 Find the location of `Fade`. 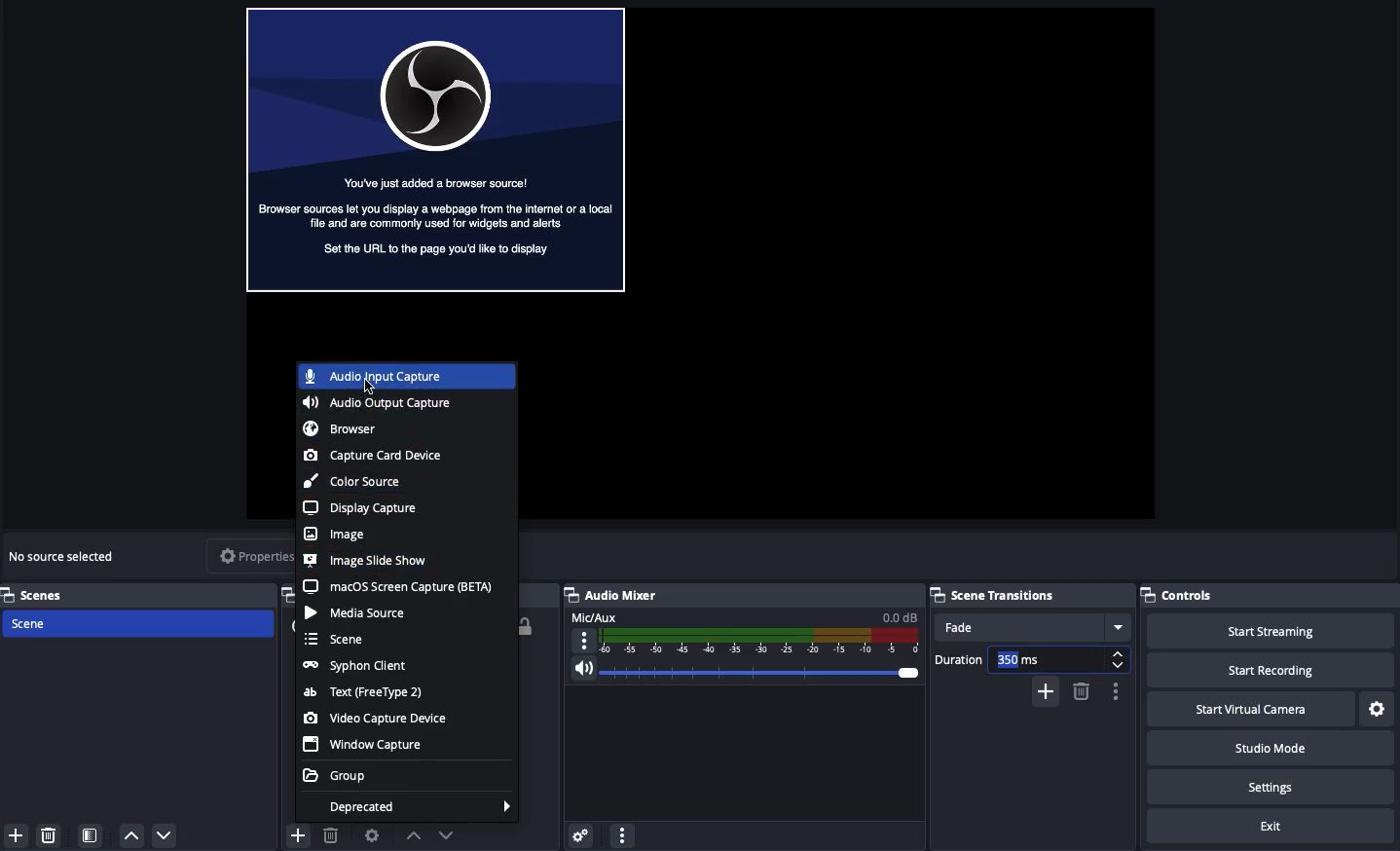

Fade is located at coordinates (1031, 626).